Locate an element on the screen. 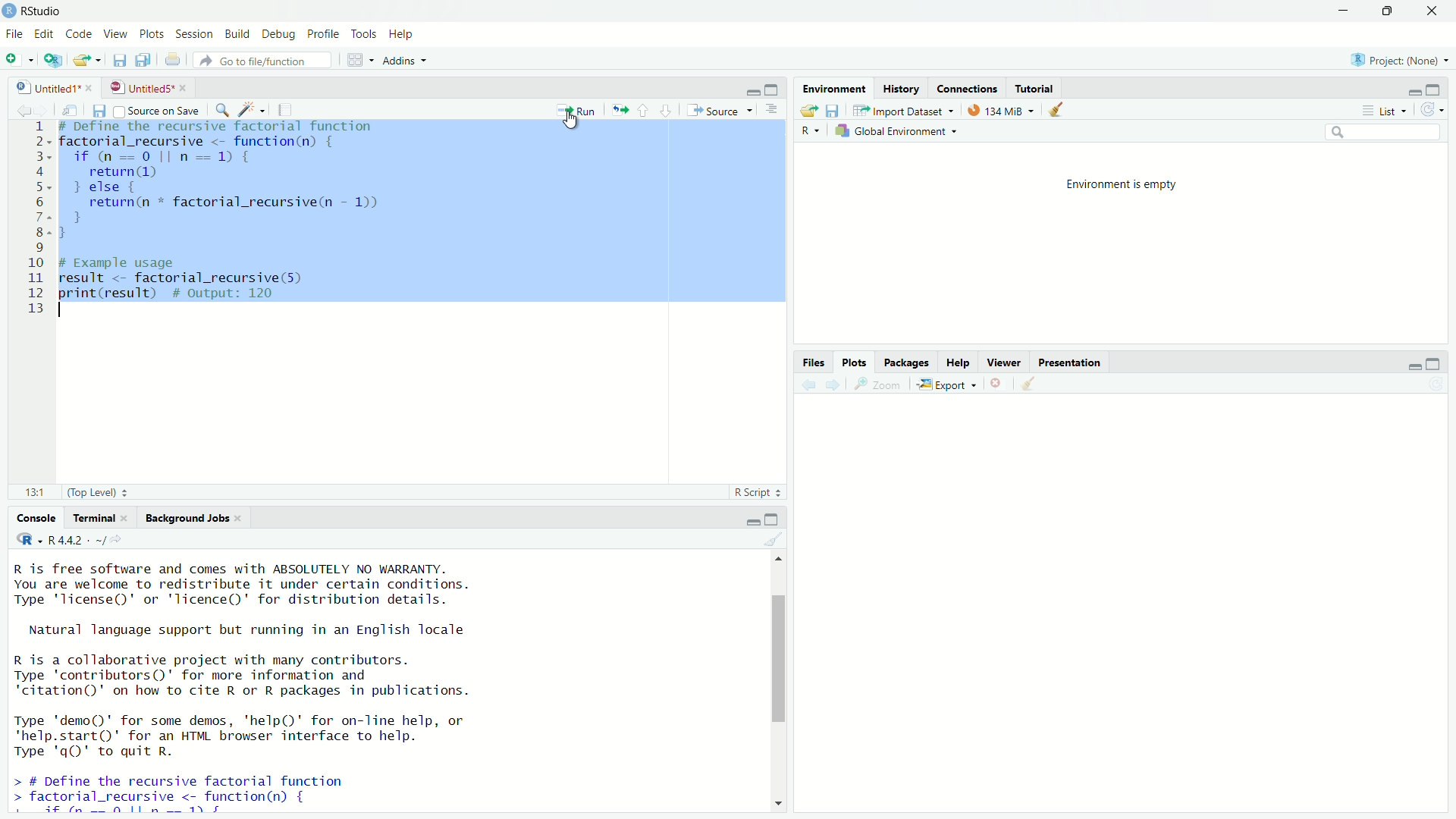 Image resolution: width=1456 pixels, height=819 pixels. Compile Report (Ctrl + Shift + K) is located at coordinates (288, 108).